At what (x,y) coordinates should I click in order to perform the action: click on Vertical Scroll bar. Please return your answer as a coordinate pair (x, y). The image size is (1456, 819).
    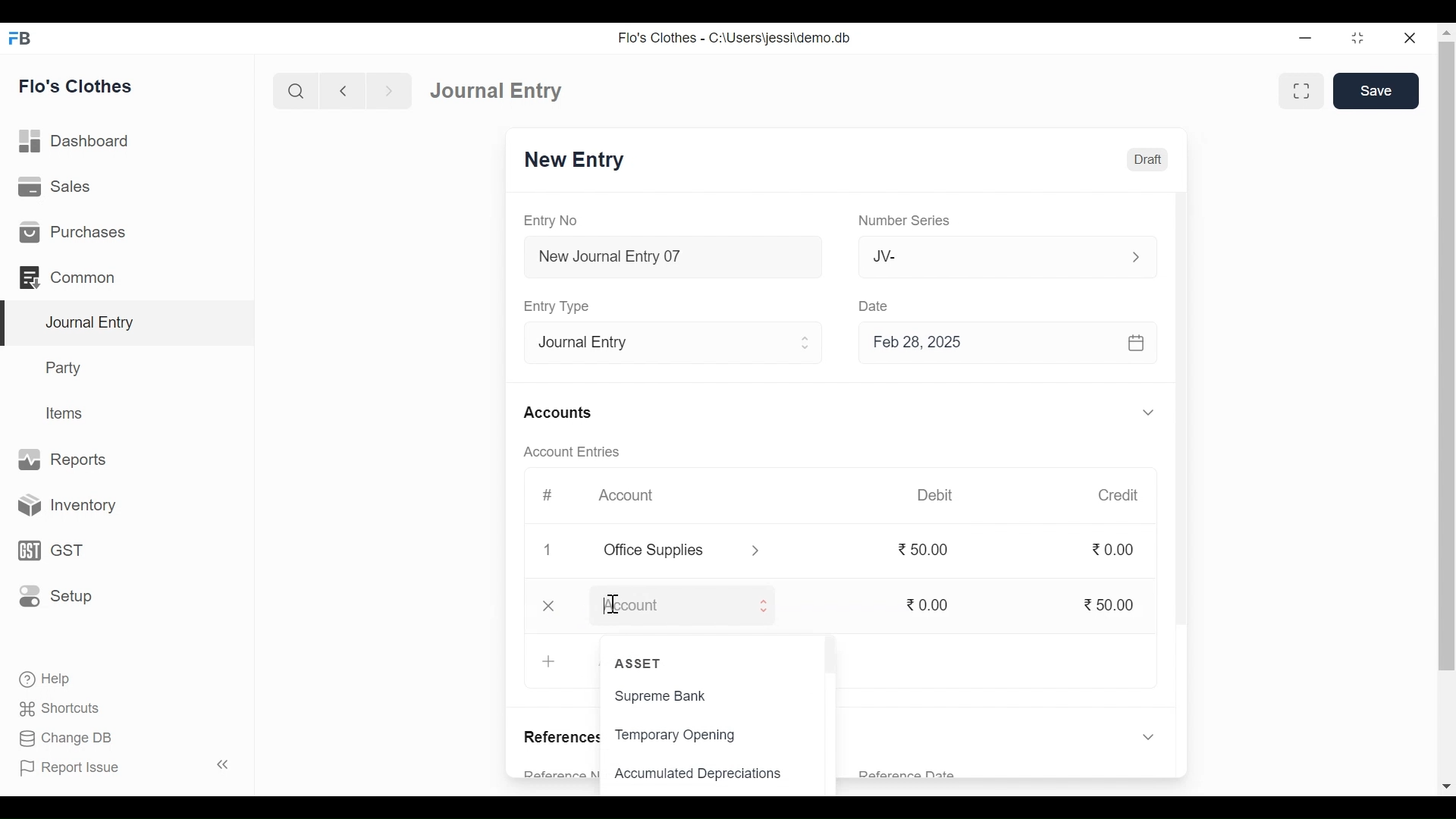
    Looking at the image, I should click on (1184, 428).